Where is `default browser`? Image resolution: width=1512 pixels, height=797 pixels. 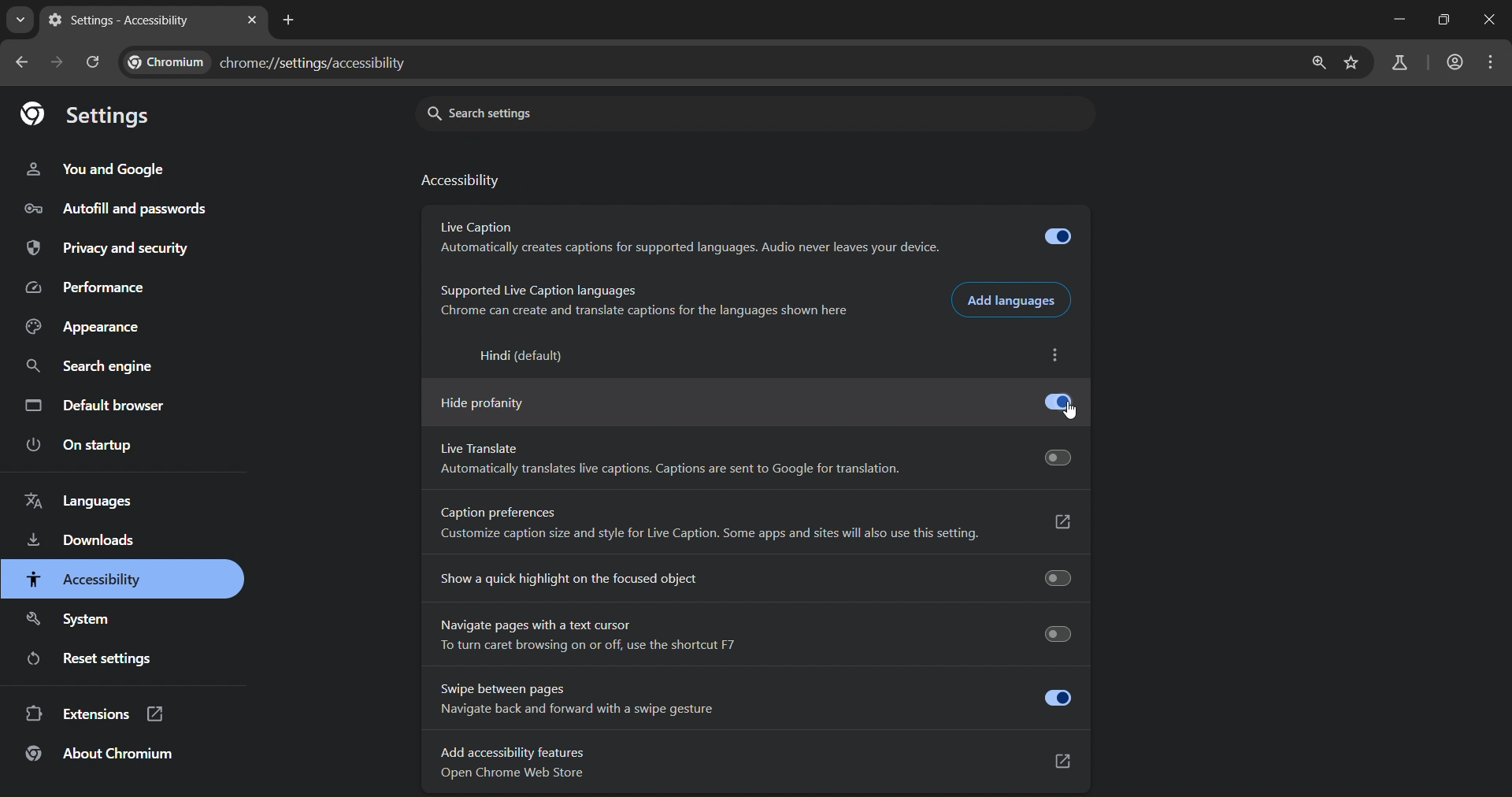
default browser is located at coordinates (106, 404).